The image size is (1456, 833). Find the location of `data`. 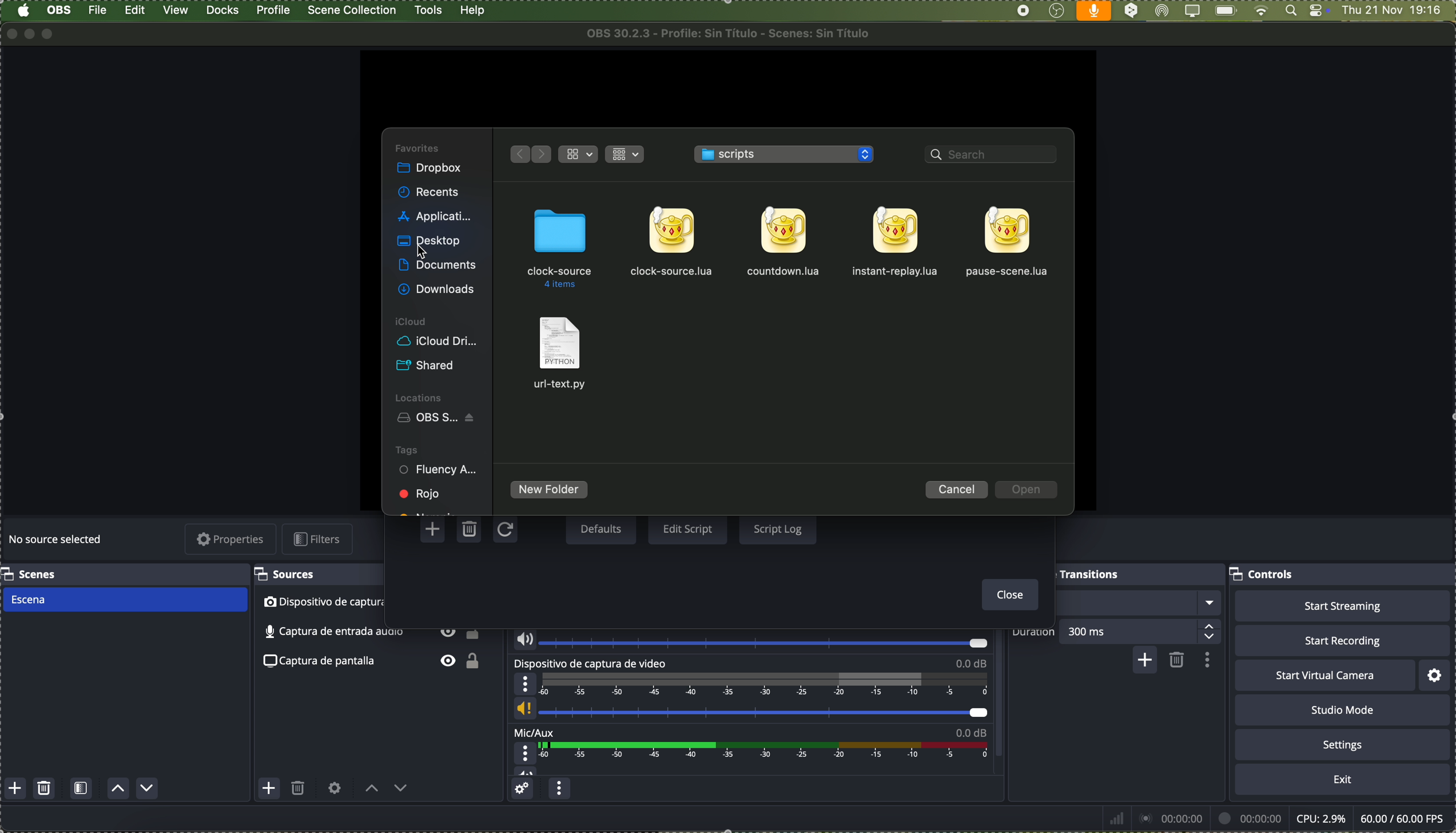

data is located at coordinates (1275, 818).